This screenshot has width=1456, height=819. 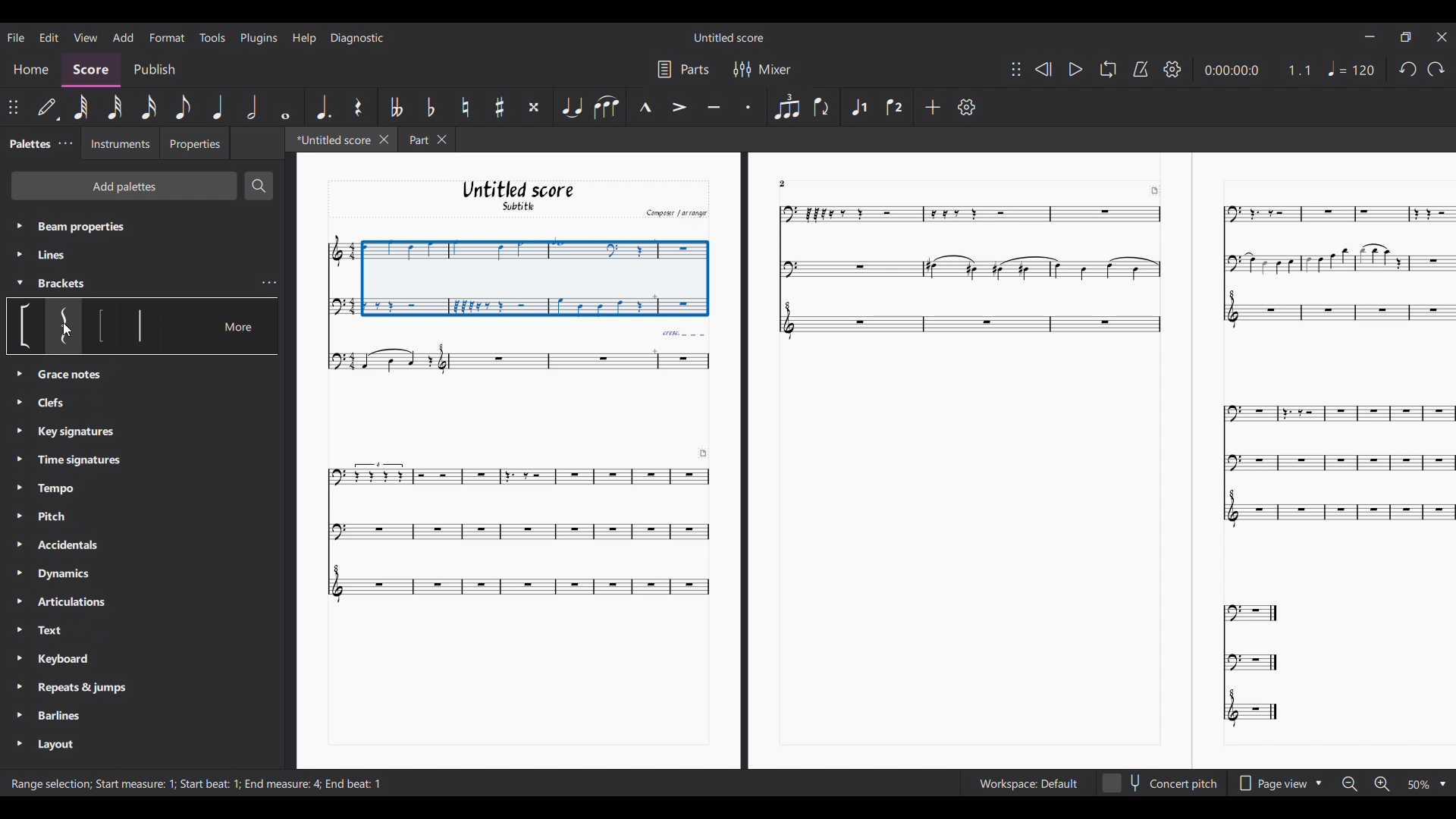 I want to click on Properties, so click(x=194, y=143).